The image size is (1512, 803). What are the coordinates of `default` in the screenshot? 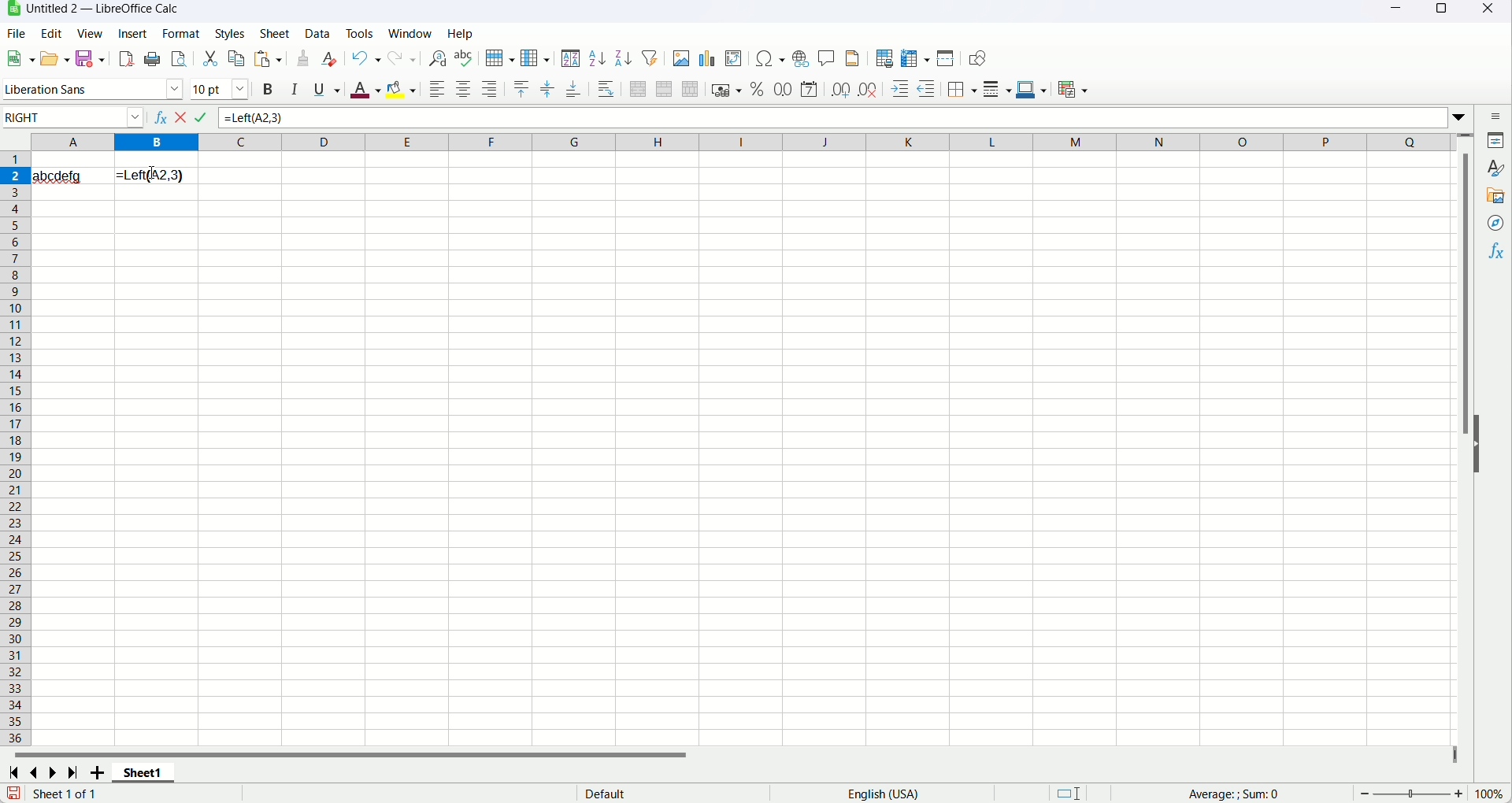 It's located at (606, 793).